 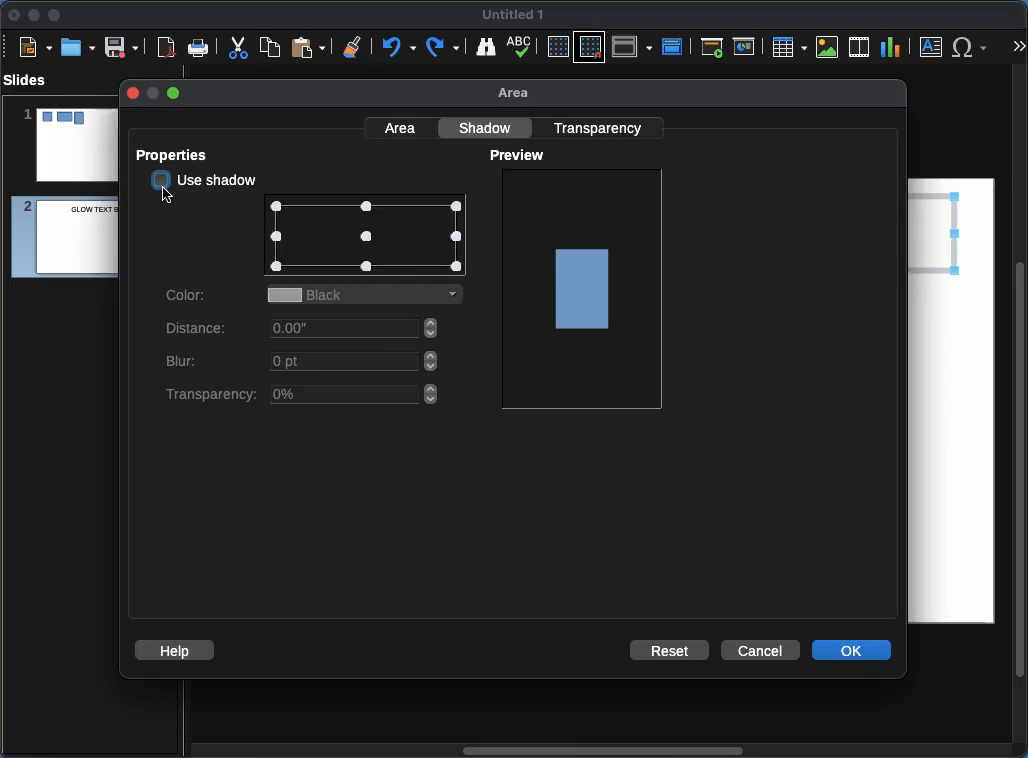 What do you see at coordinates (131, 93) in the screenshot?
I see `close` at bounding box center [131, 93].